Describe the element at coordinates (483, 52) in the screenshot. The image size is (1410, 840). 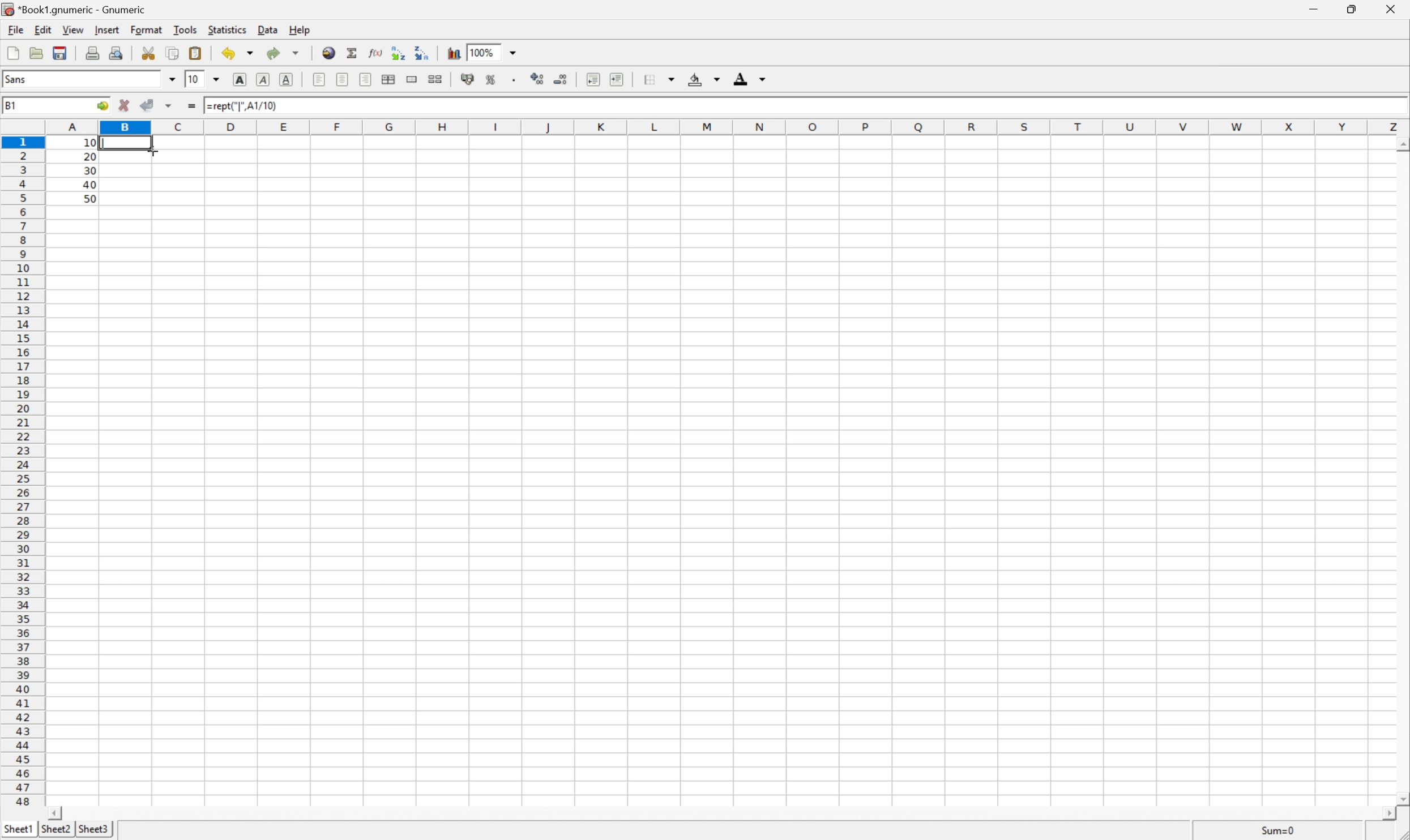
I see `100%` at that location.